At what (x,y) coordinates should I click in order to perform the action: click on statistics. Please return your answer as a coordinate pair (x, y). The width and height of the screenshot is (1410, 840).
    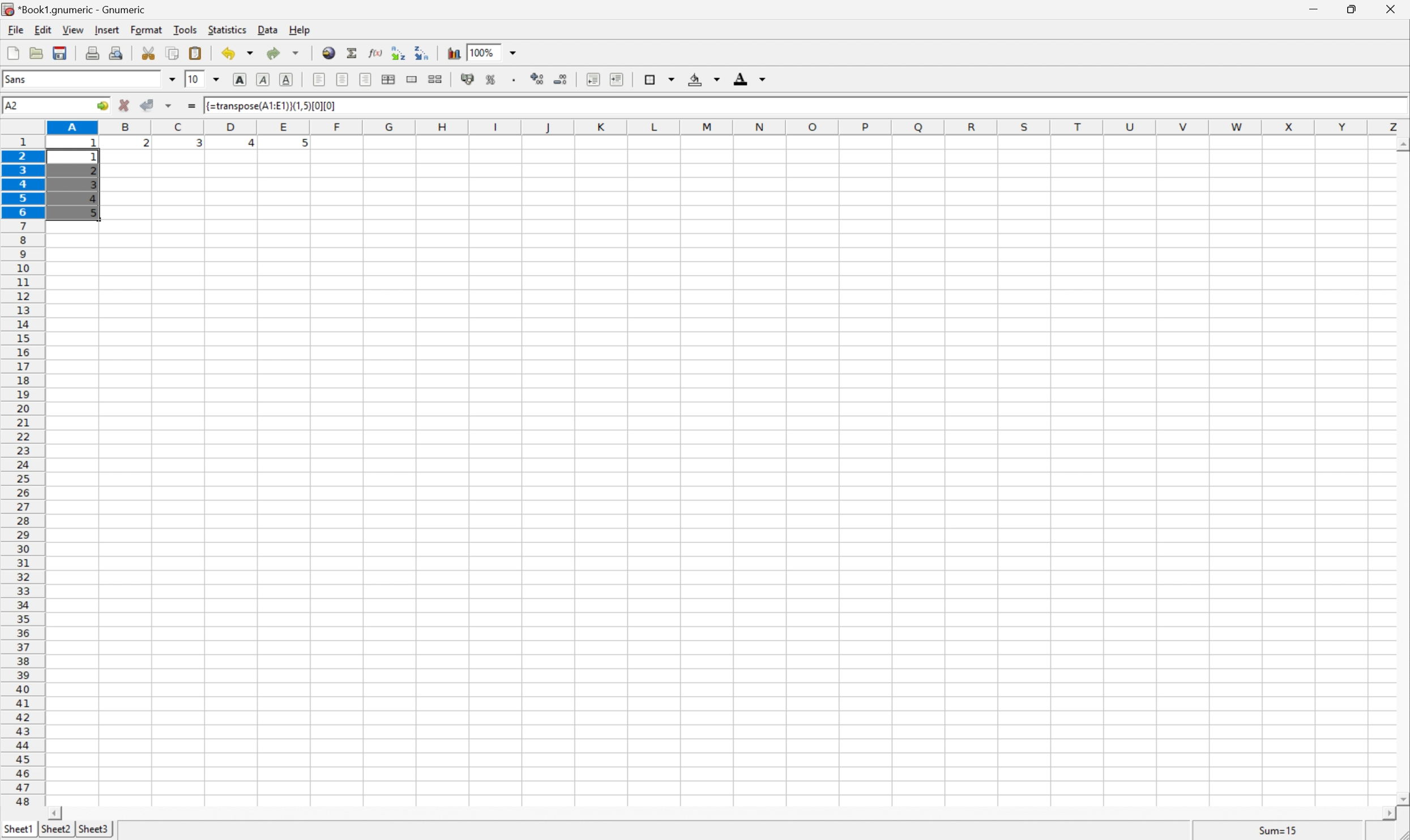
    Looking at the image, I should click on (227, 31).